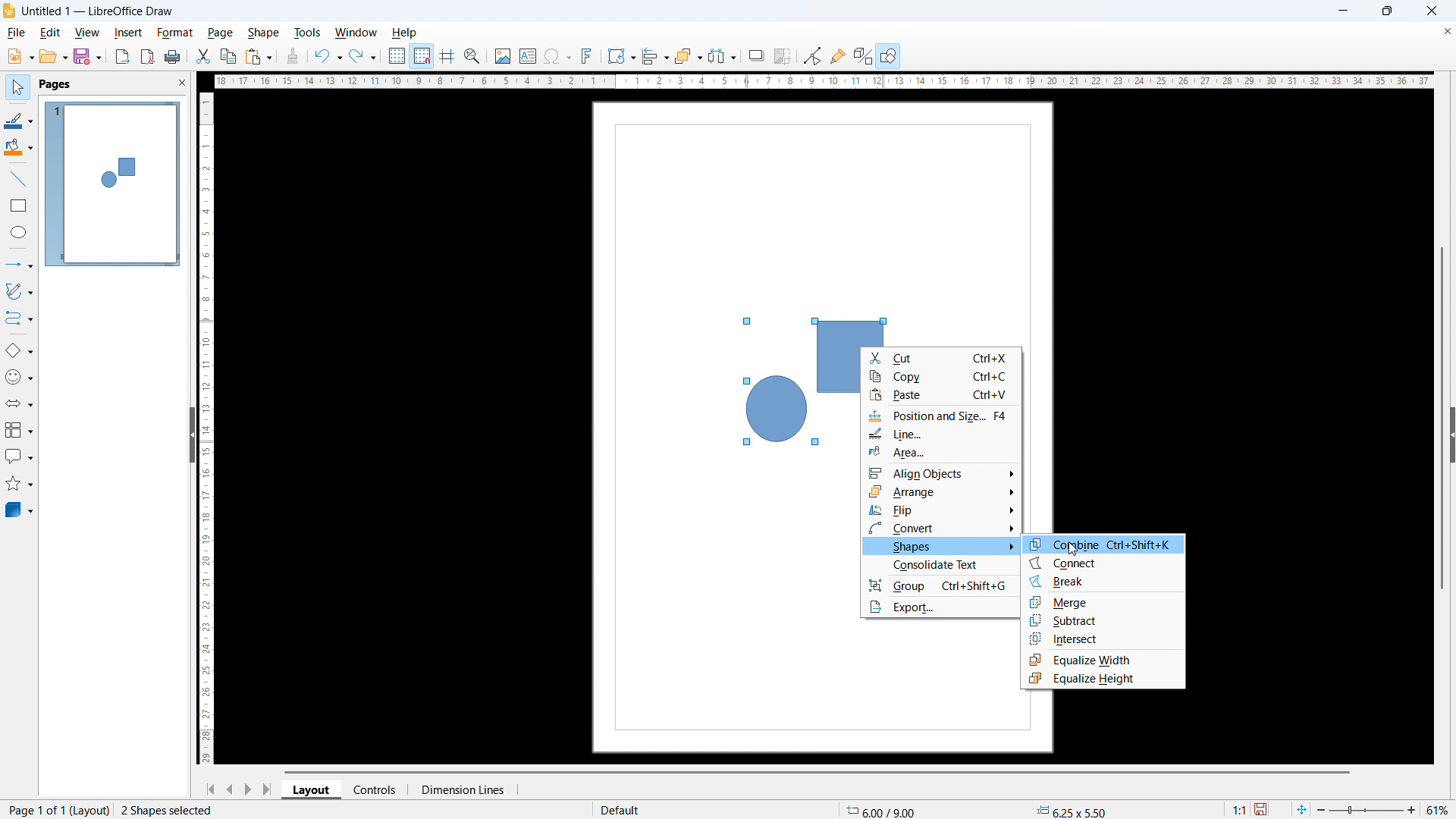 The image size is (1456, 819). Describe the element at coordinates (503, 57) in the screenshot. I see `insert image` at that location.